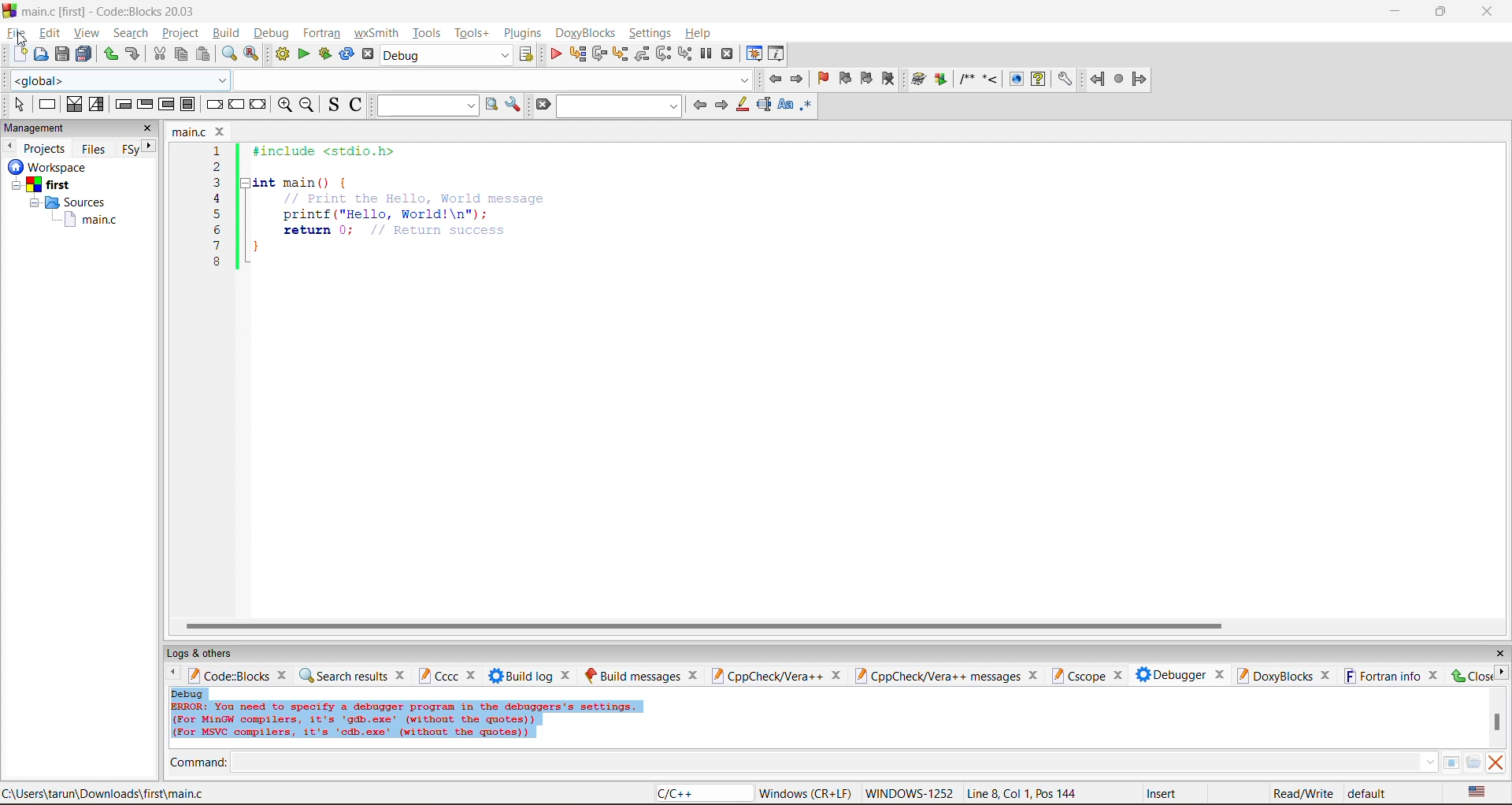 The height and width of the screenshot is (805, 1512). What do you see at coordinates (112, 10) in the screenshot?
I see `app name and file name` at bounding box center [112, 10].